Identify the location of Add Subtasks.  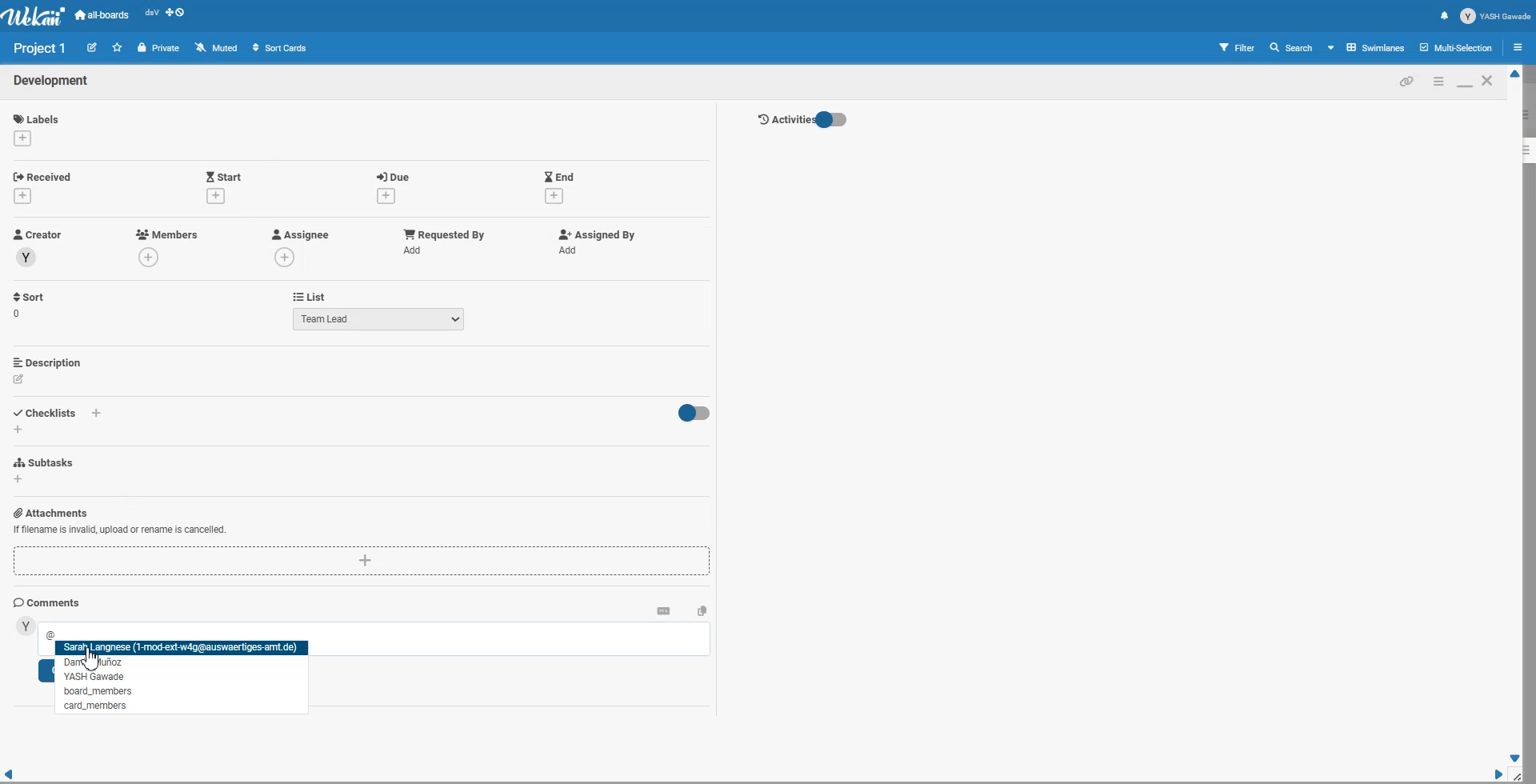
(46, 462).